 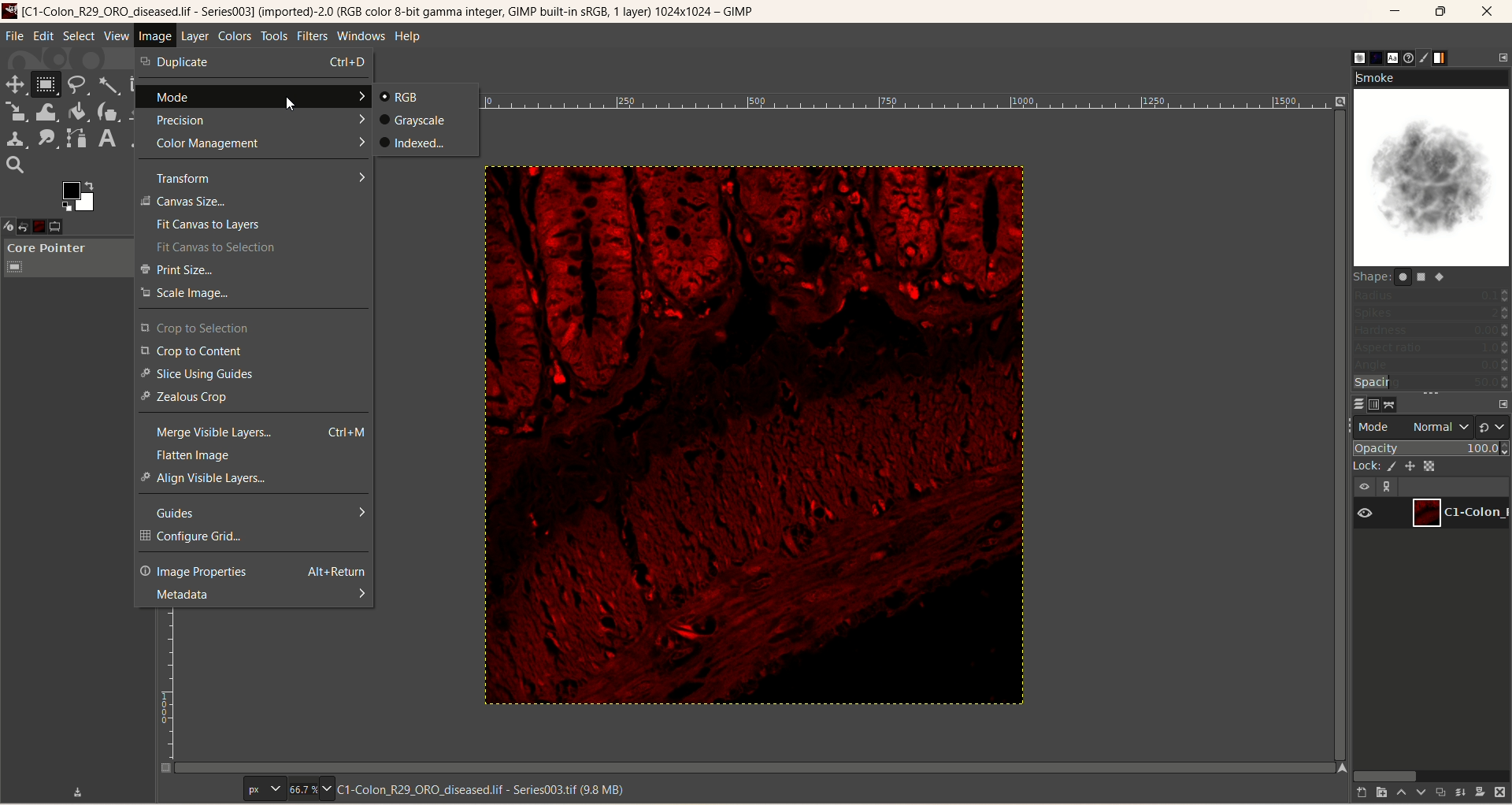 What do you see at coordinates (1421, 794) in the screenshot?
I see `lower this layer one step` at bounding box center [1421, 794].